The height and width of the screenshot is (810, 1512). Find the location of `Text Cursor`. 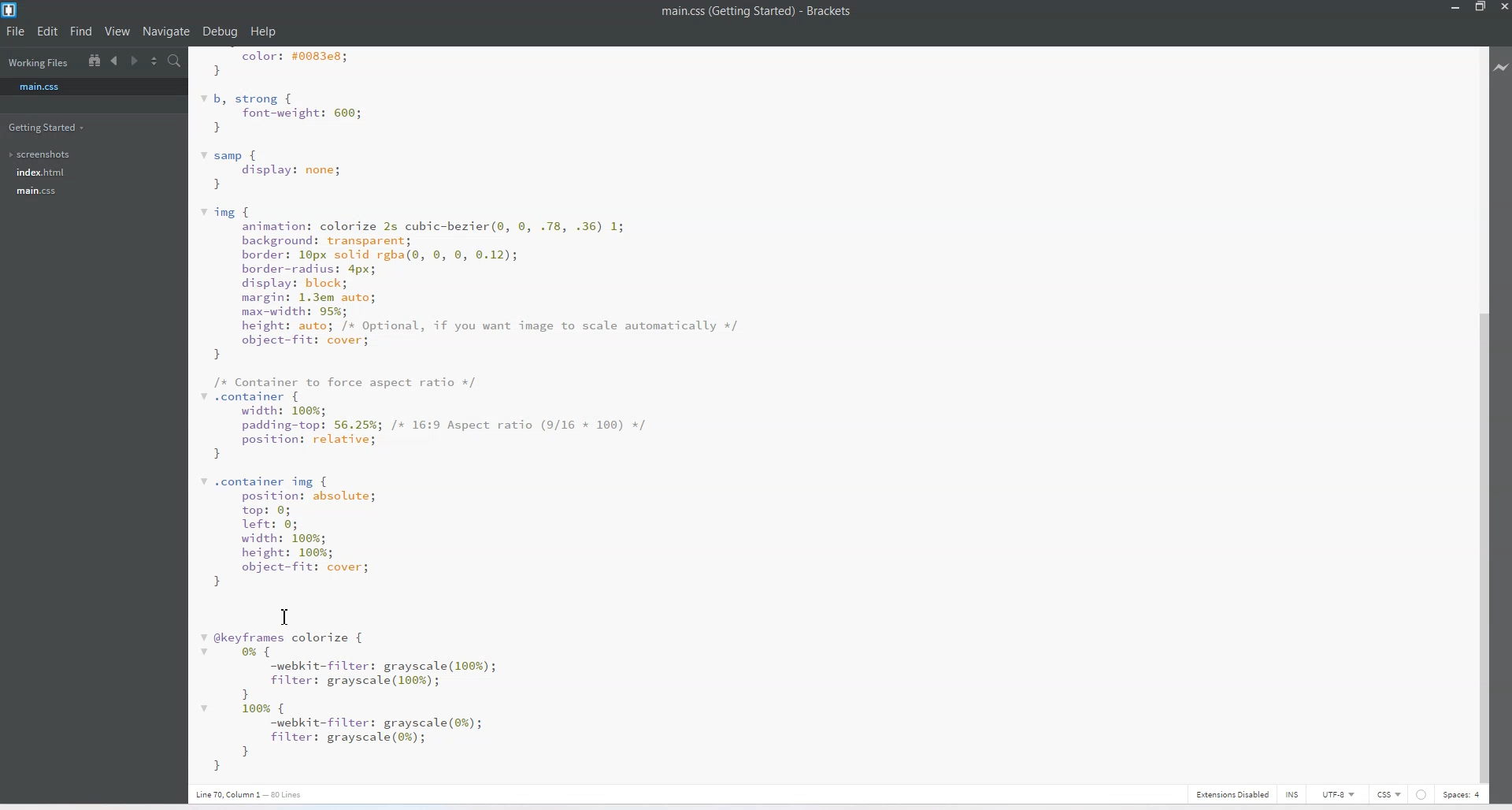

Text Cursor is located at coordinates (285, 615).